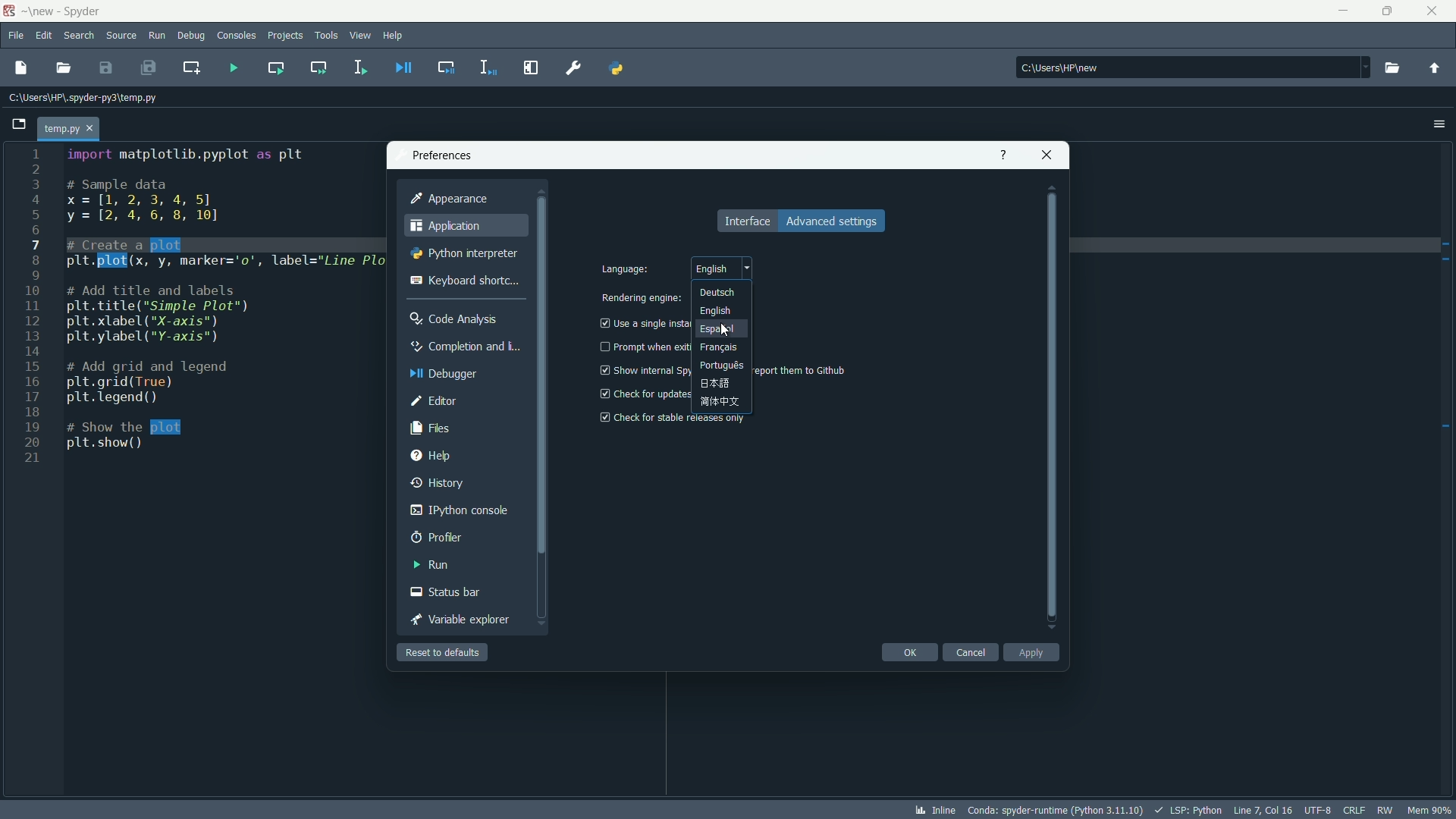 The width and height of the screenshot is (1456, 819). Describe the element at coordinates (627, 270) in the screenshot. I see `language` at that location.